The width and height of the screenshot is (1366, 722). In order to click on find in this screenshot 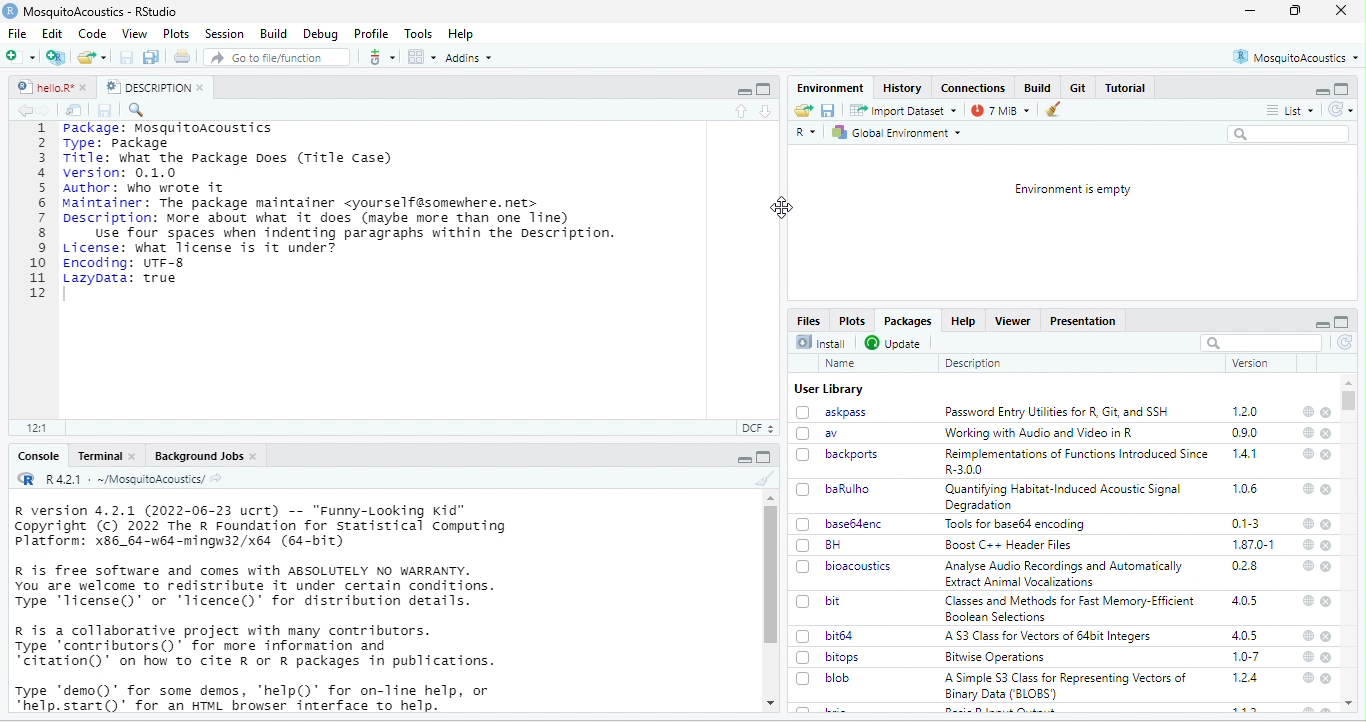, I will do `click(139, 110)`.